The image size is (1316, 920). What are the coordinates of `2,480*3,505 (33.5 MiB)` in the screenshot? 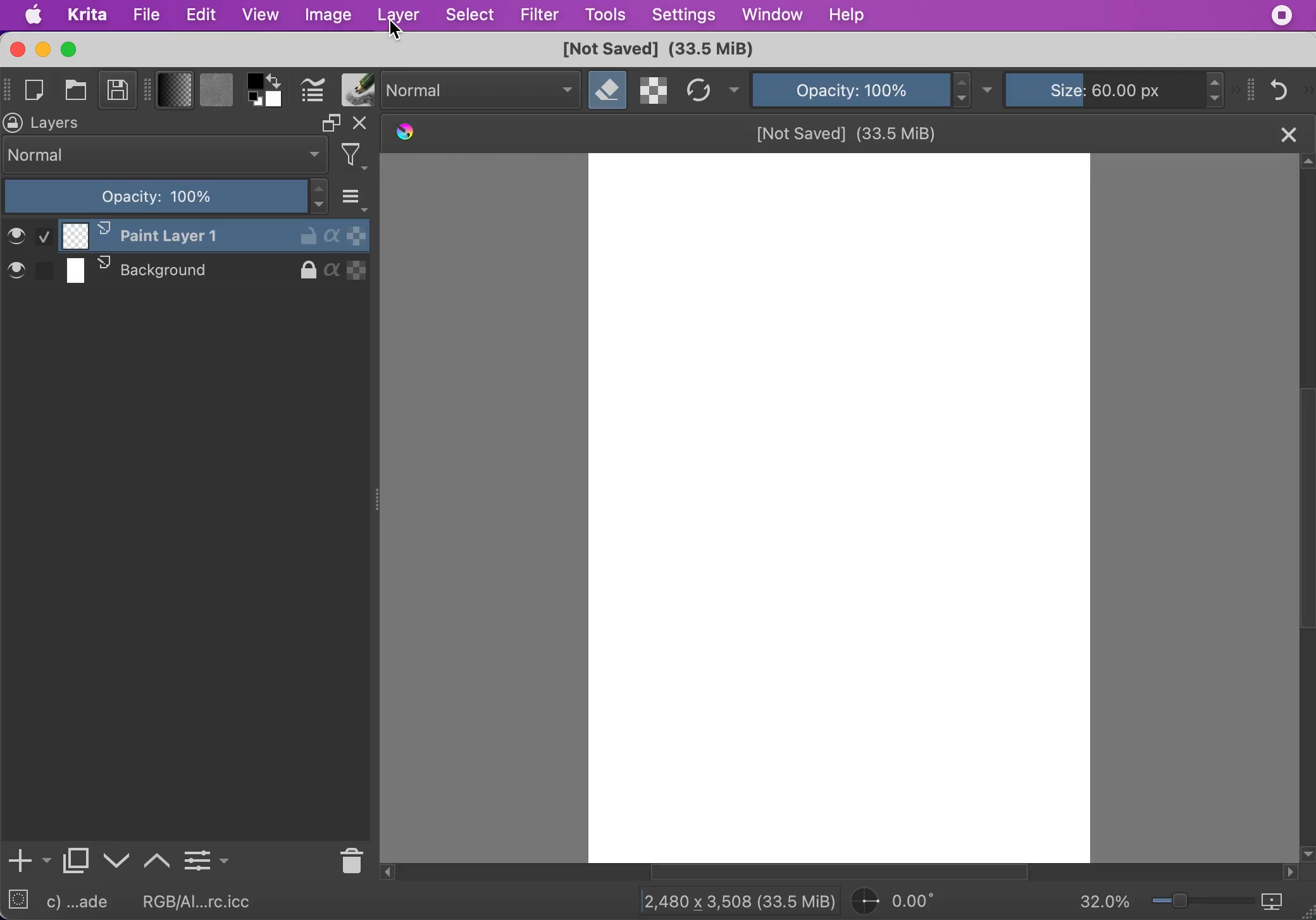 It's located at (728, 900).